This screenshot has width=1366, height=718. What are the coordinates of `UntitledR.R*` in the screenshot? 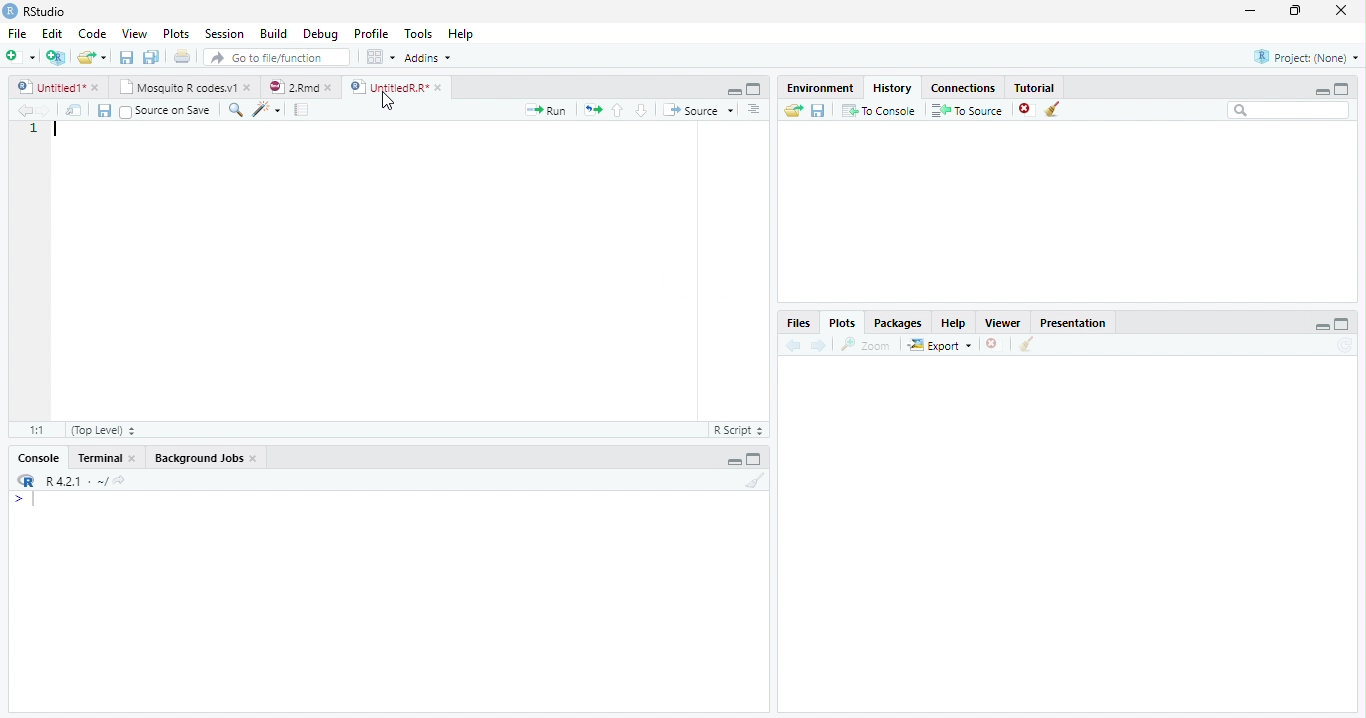 It's located at (388, 88).